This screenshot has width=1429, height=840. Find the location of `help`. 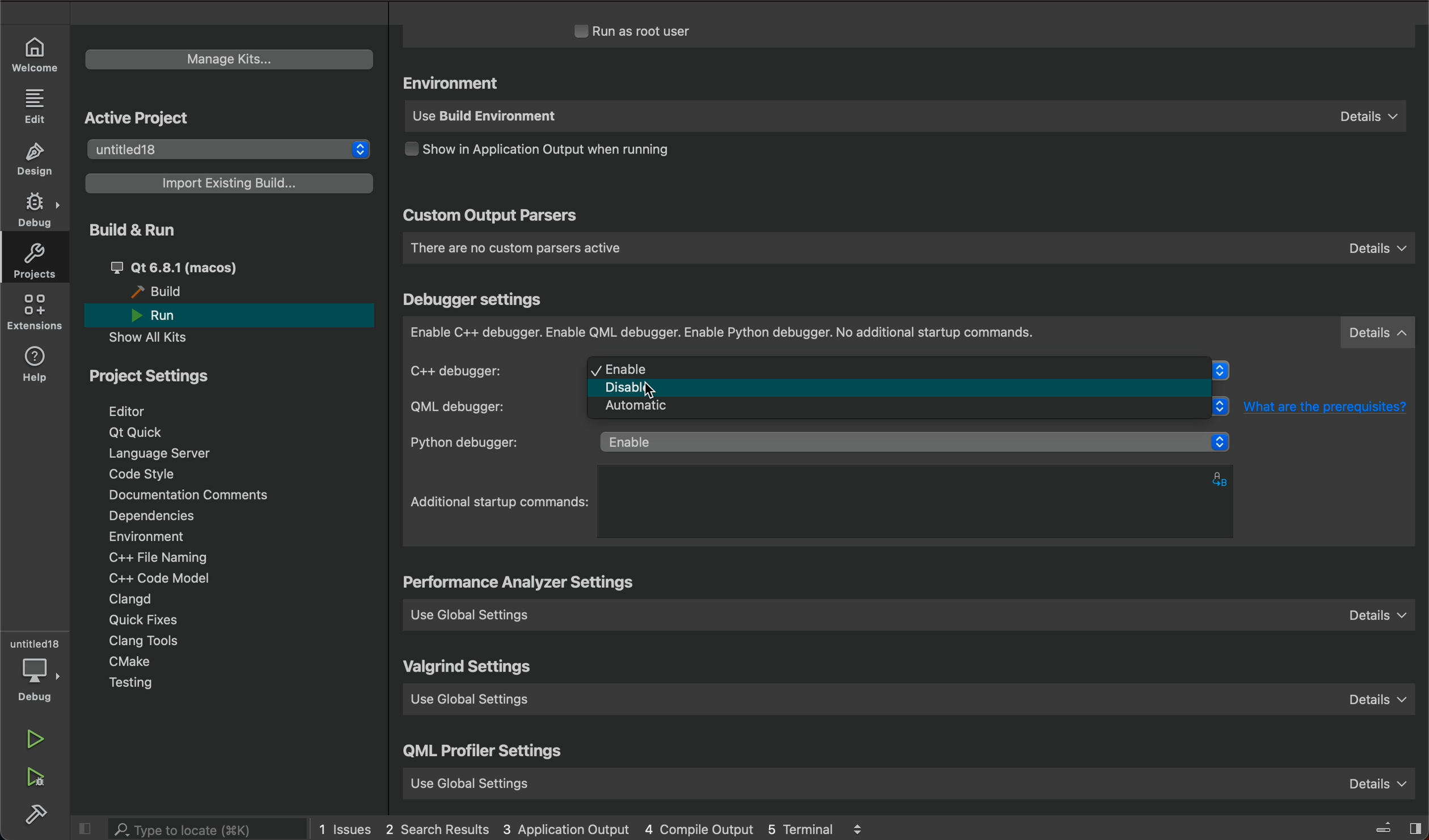

help is located at coordinates (39, 364).